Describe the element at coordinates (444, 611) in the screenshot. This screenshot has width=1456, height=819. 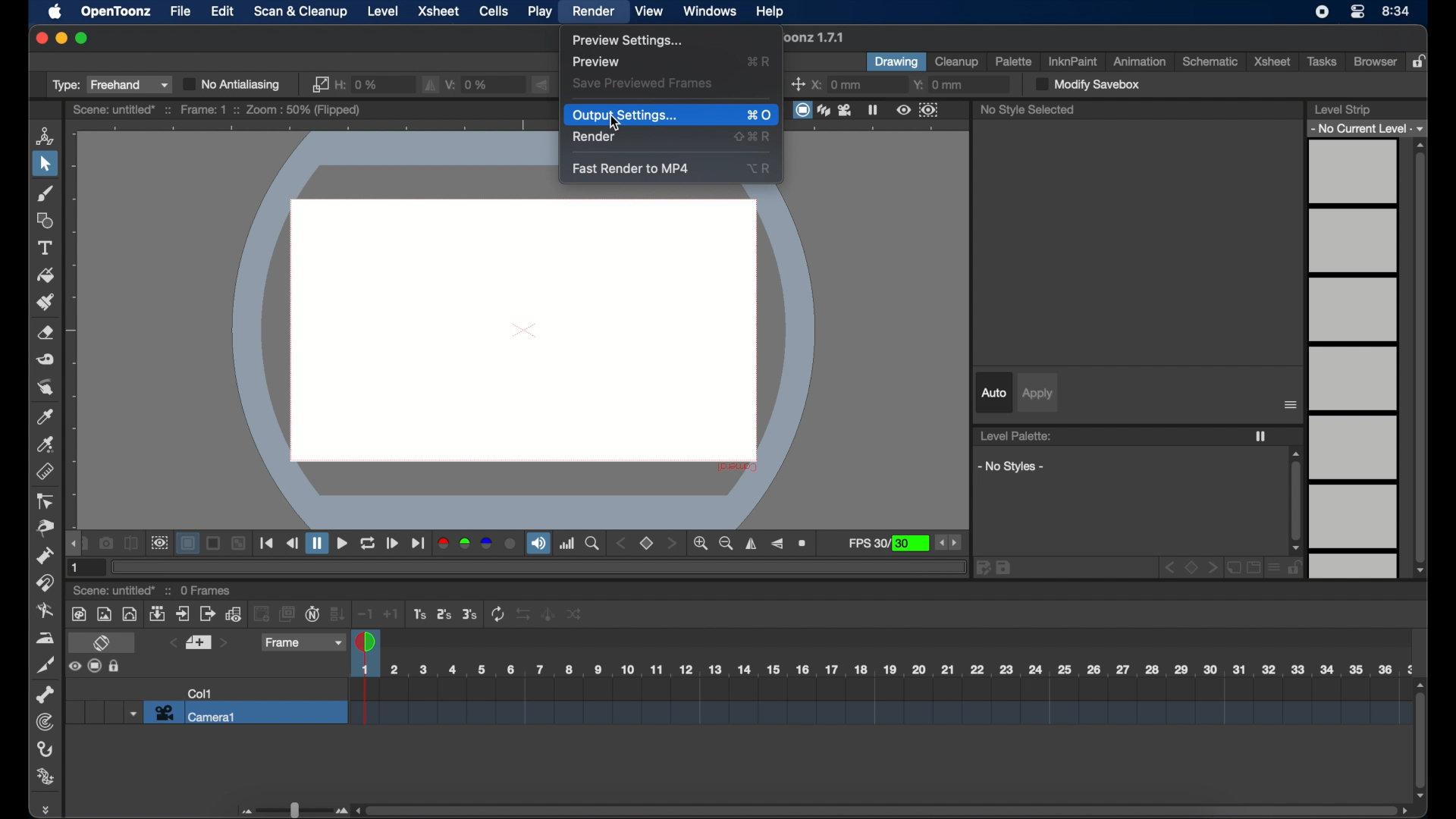
I see `` at that location.